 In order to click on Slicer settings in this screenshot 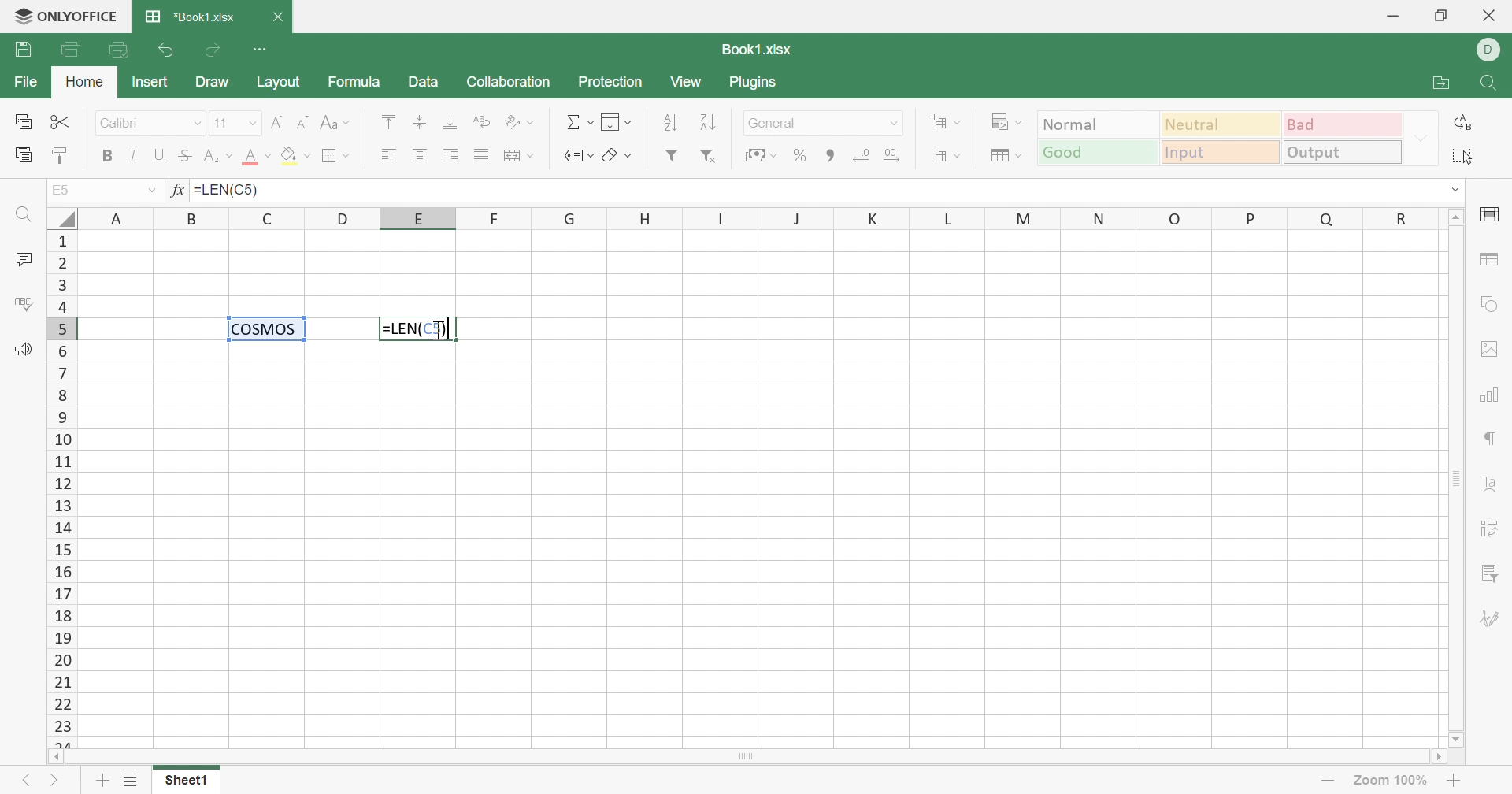, I will do `click(1492, 575)`.